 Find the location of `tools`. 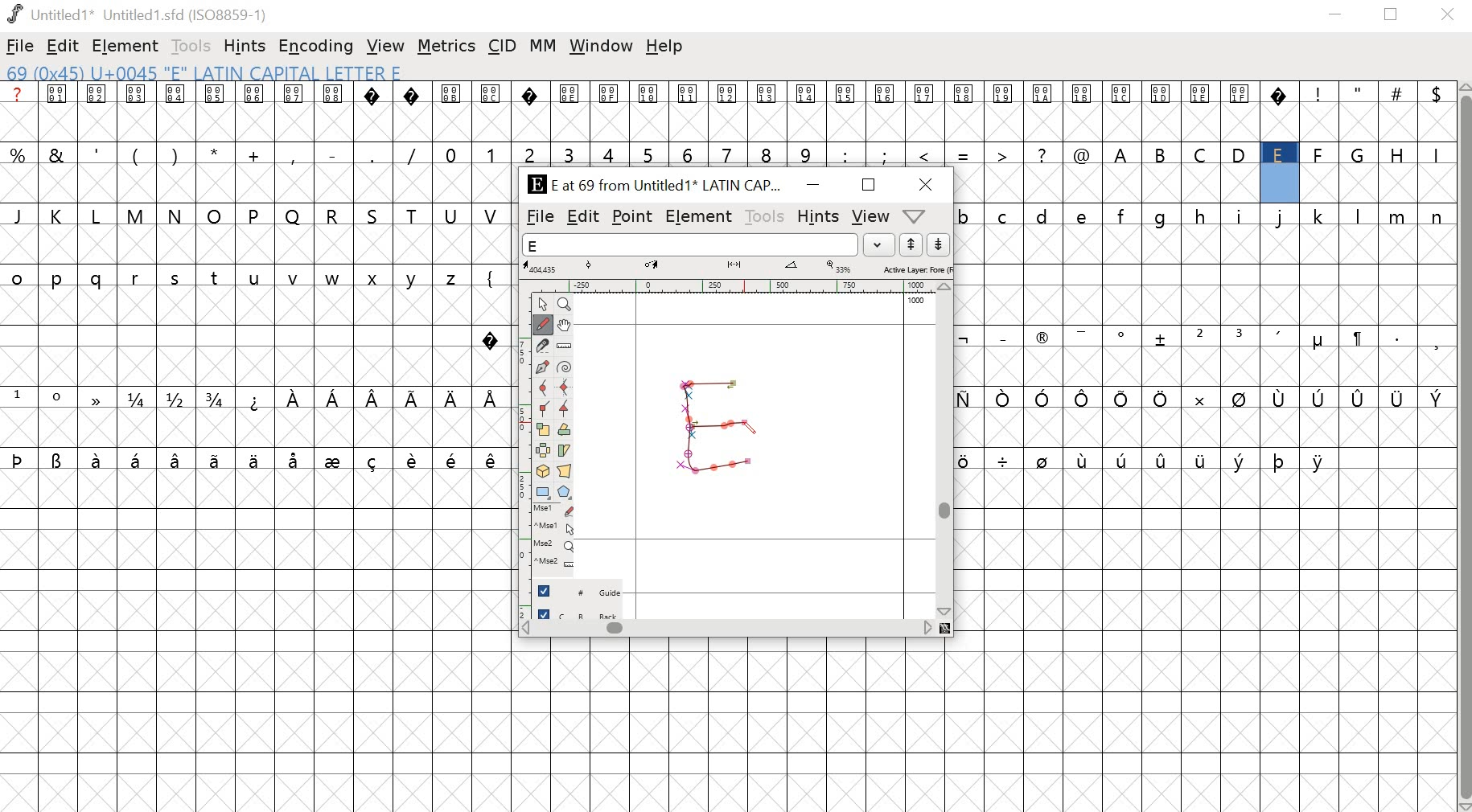

tools is located at coordinates (191, 46).